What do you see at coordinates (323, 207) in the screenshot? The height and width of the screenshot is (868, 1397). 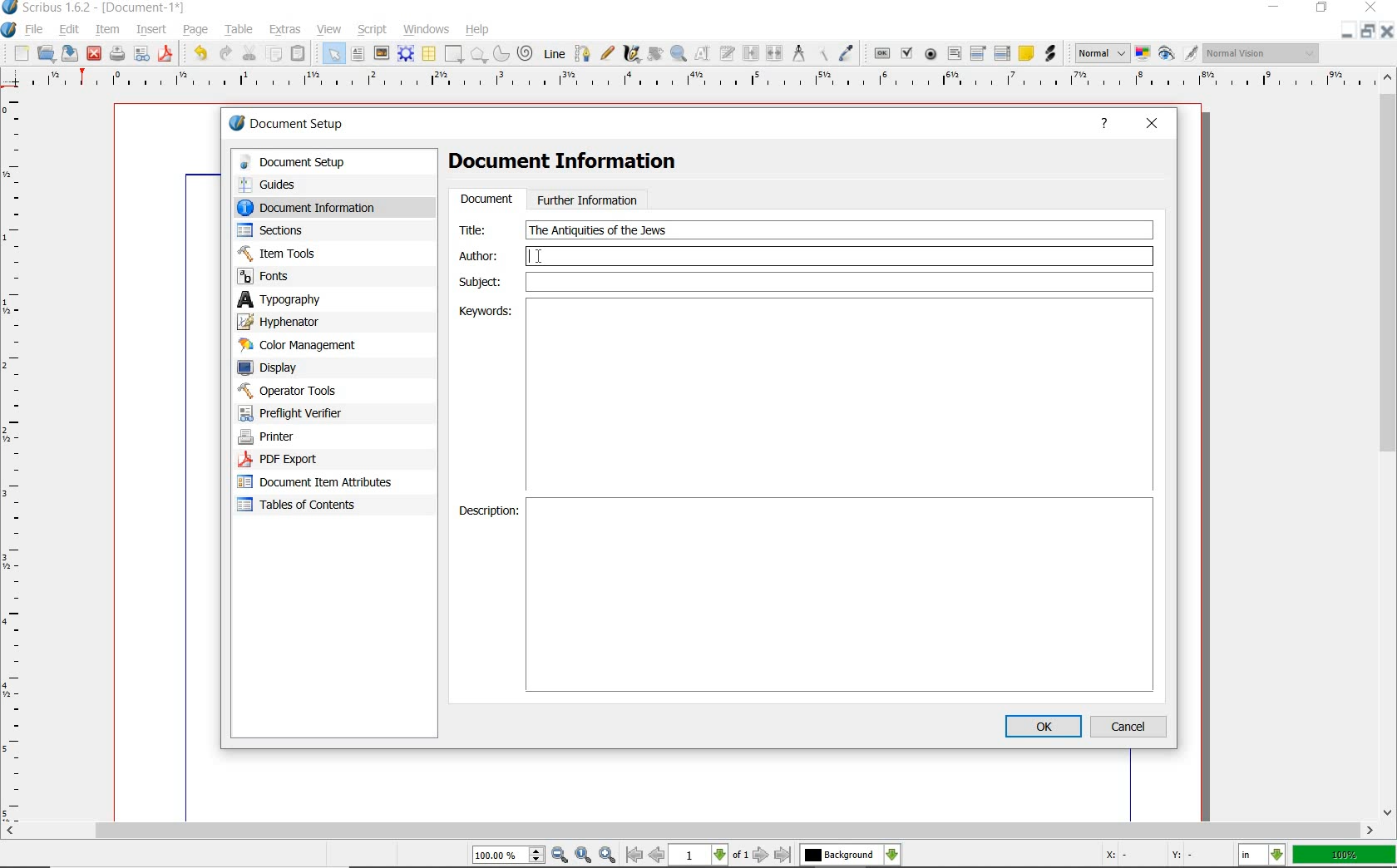 I see `document information` at bounding box center [323, 207].